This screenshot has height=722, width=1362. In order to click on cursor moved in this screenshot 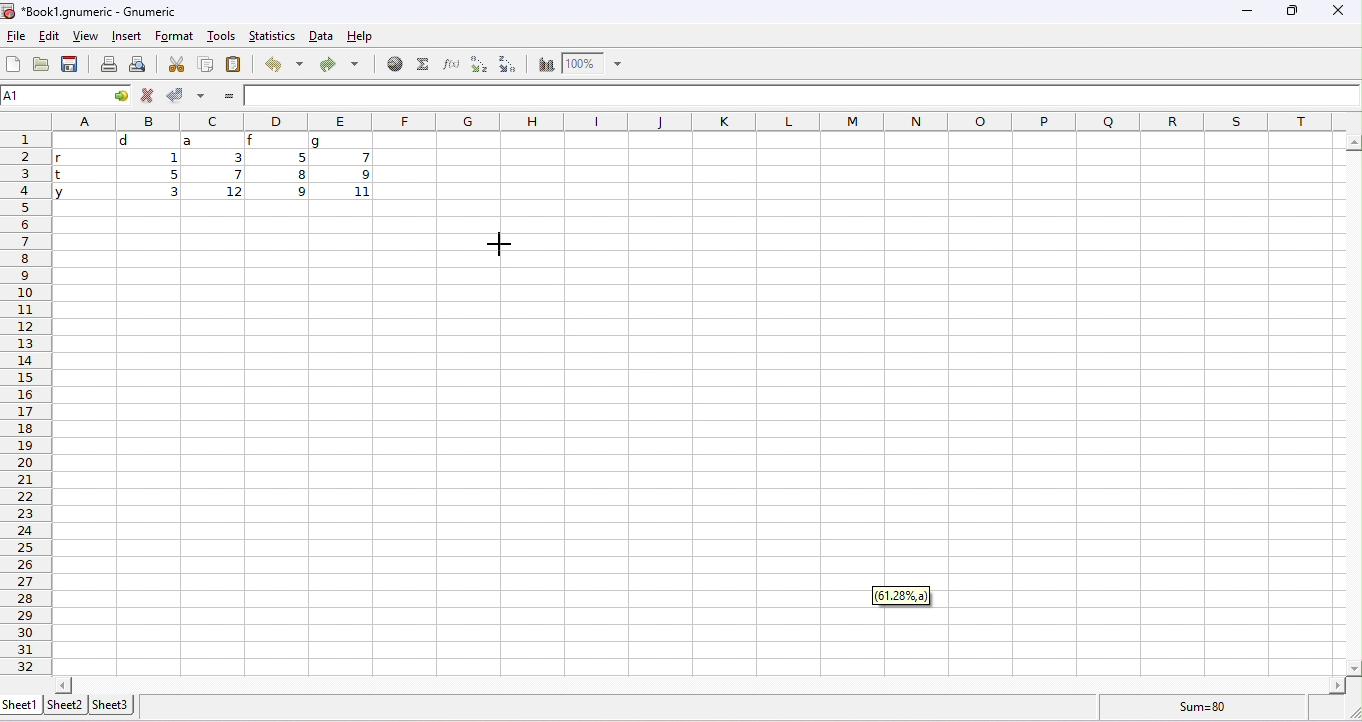, I will do `click(499, 242)`.